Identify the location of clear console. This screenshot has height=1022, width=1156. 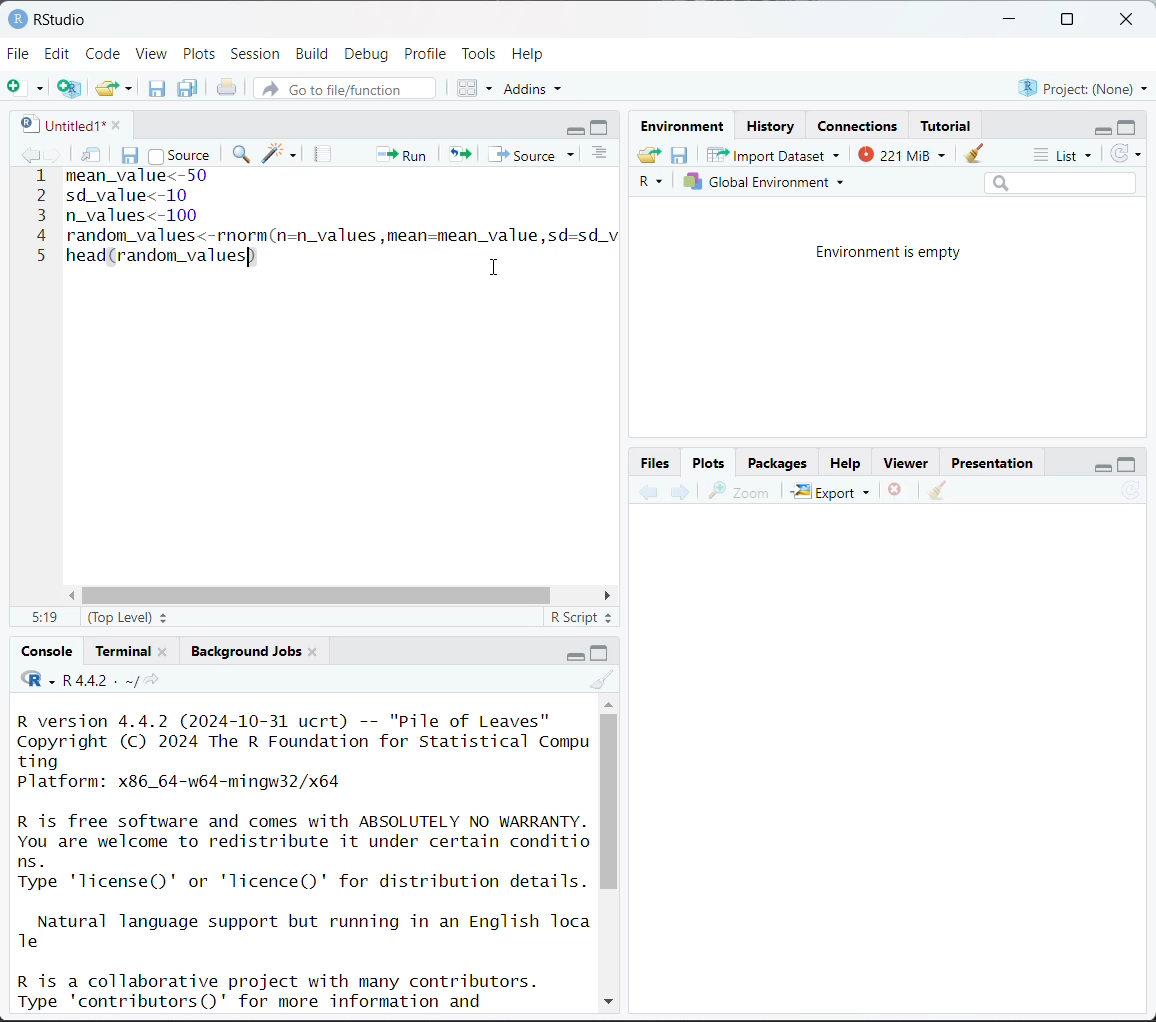
(604, 680).